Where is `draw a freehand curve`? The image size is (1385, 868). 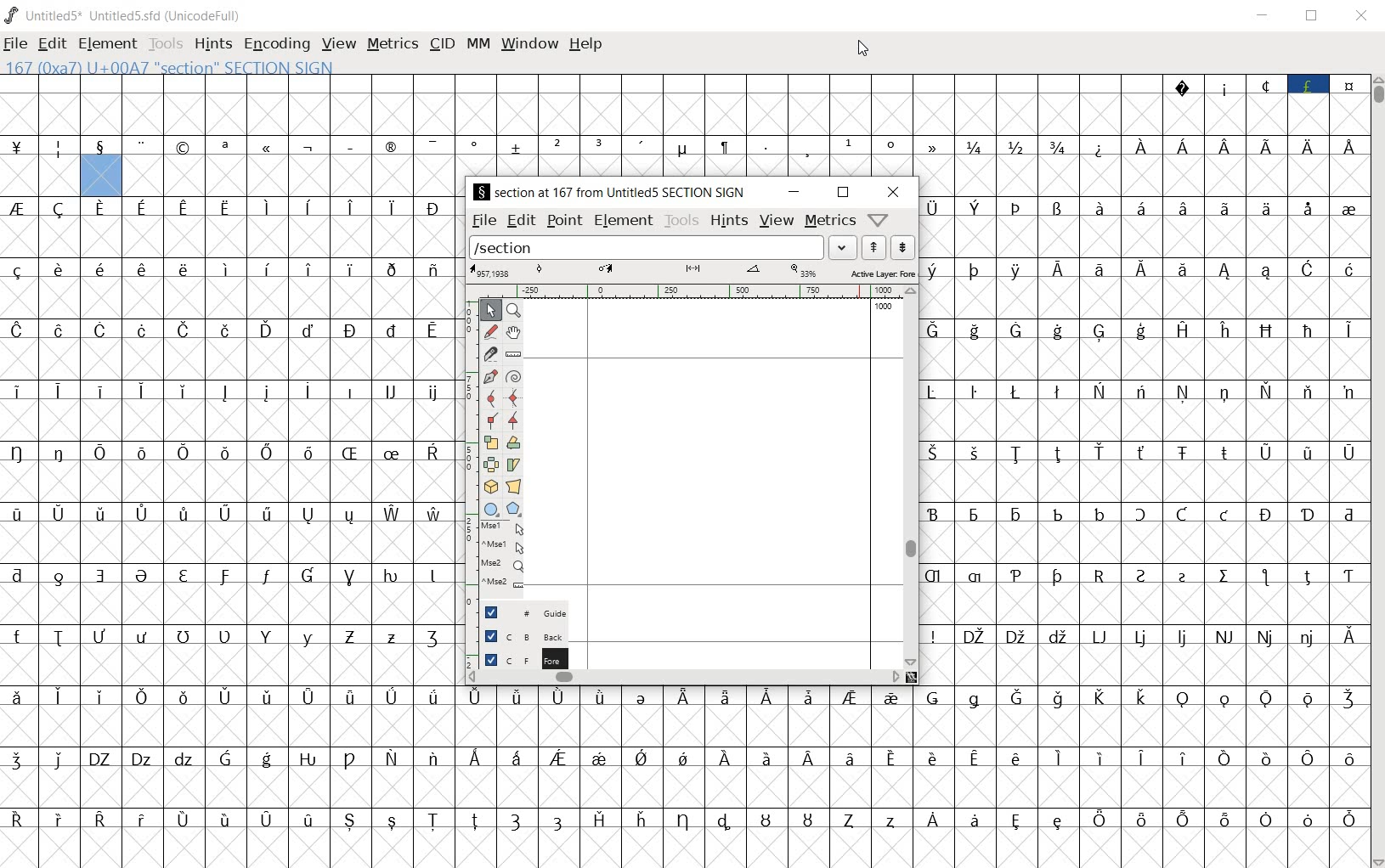 draw a freehand curve is located at coordinates (490, 330).